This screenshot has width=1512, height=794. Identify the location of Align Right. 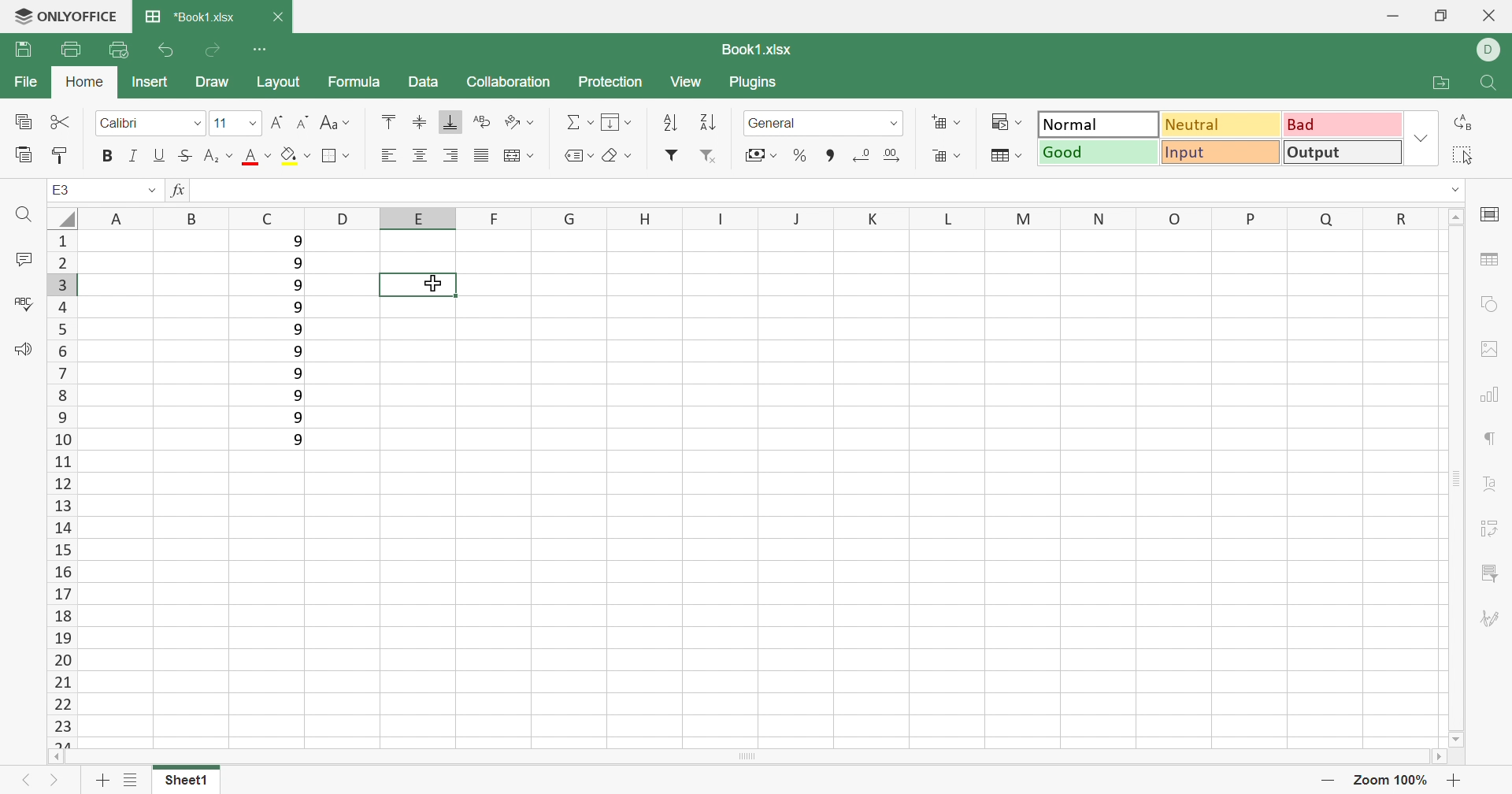
(453, 155).